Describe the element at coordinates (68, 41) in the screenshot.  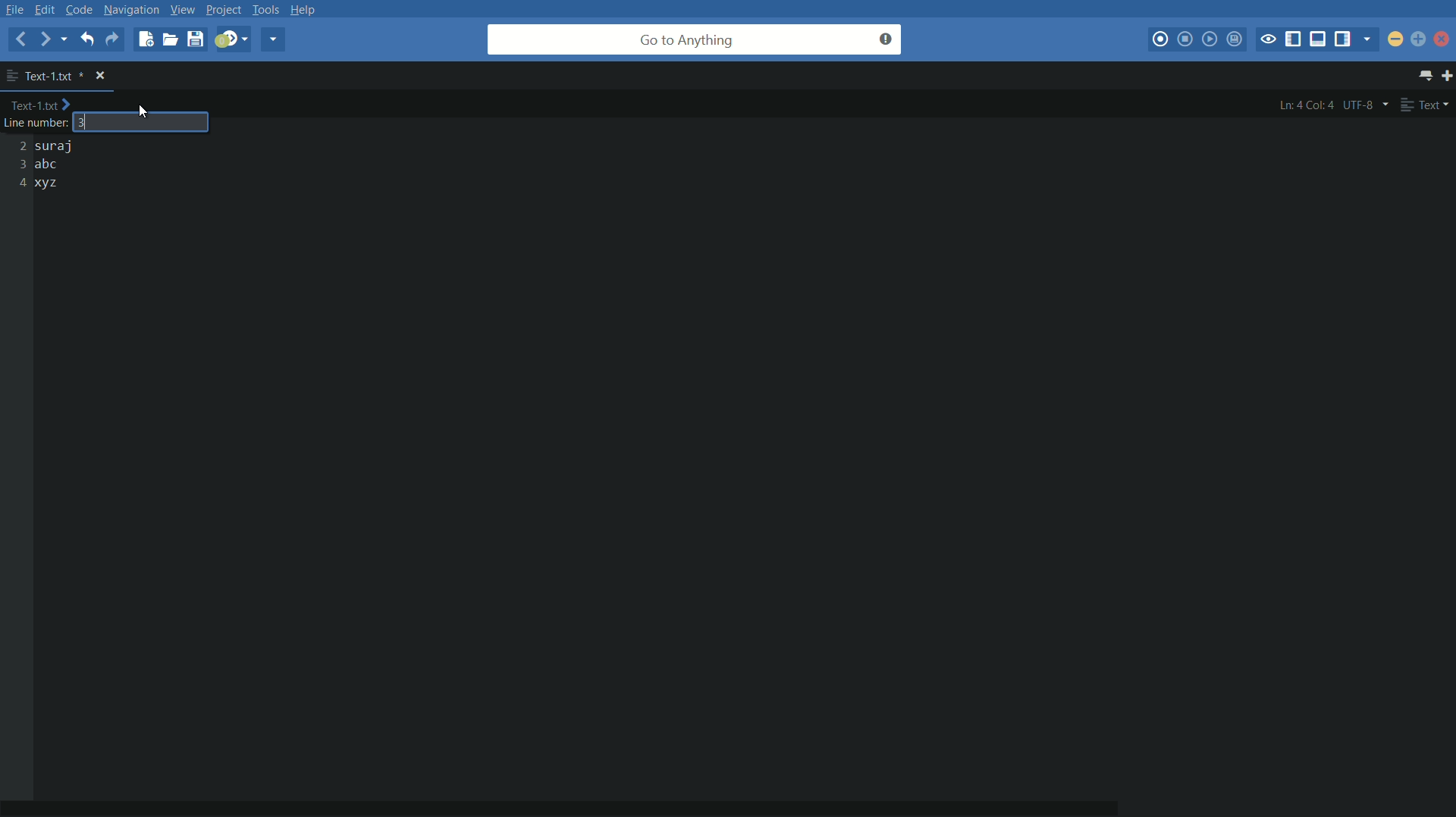
I see `recent locations` at that location.